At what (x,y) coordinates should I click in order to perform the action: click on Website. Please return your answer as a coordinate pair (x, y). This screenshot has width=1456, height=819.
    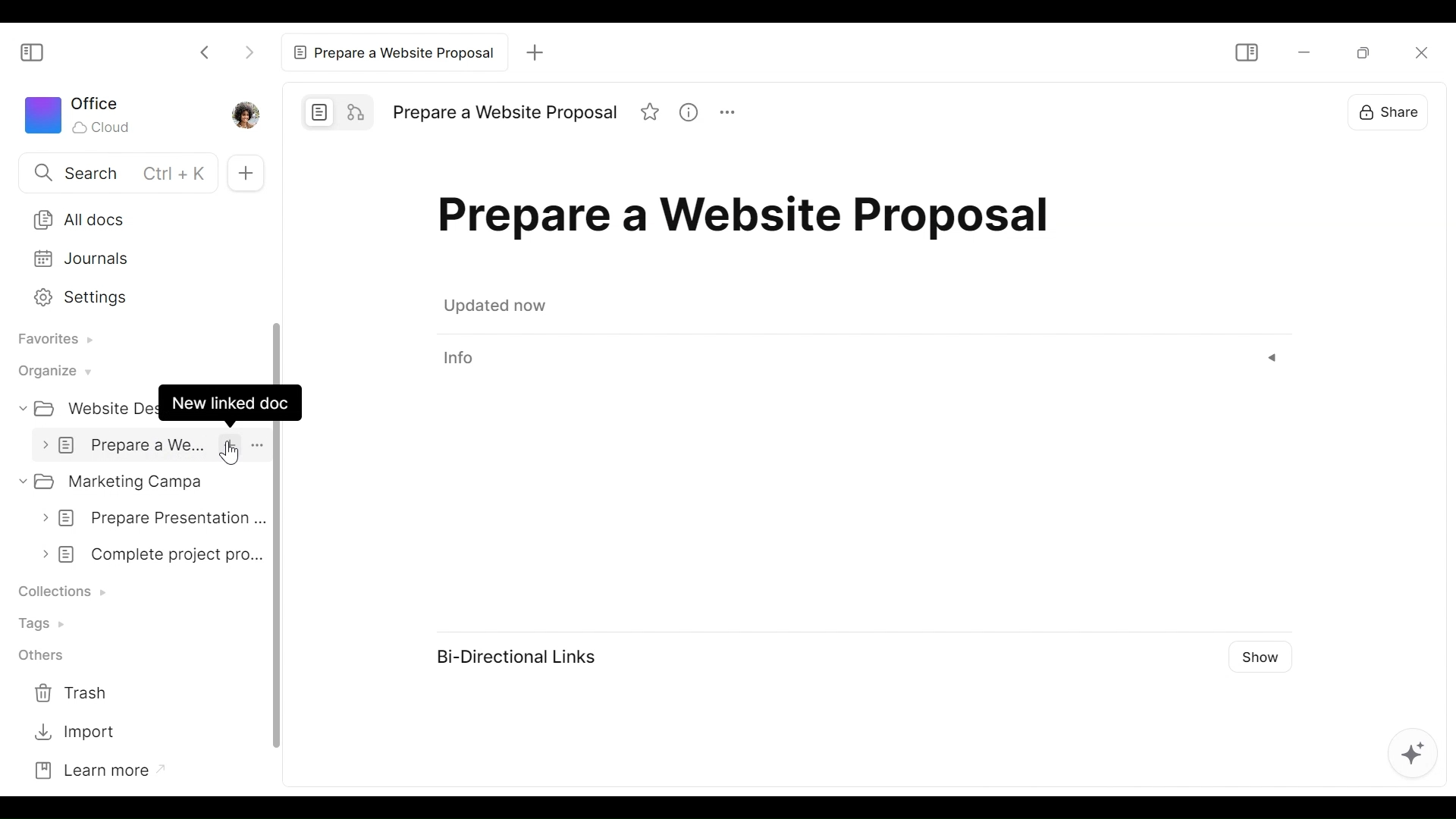
    Looking at the image, I should click on (87, 407).